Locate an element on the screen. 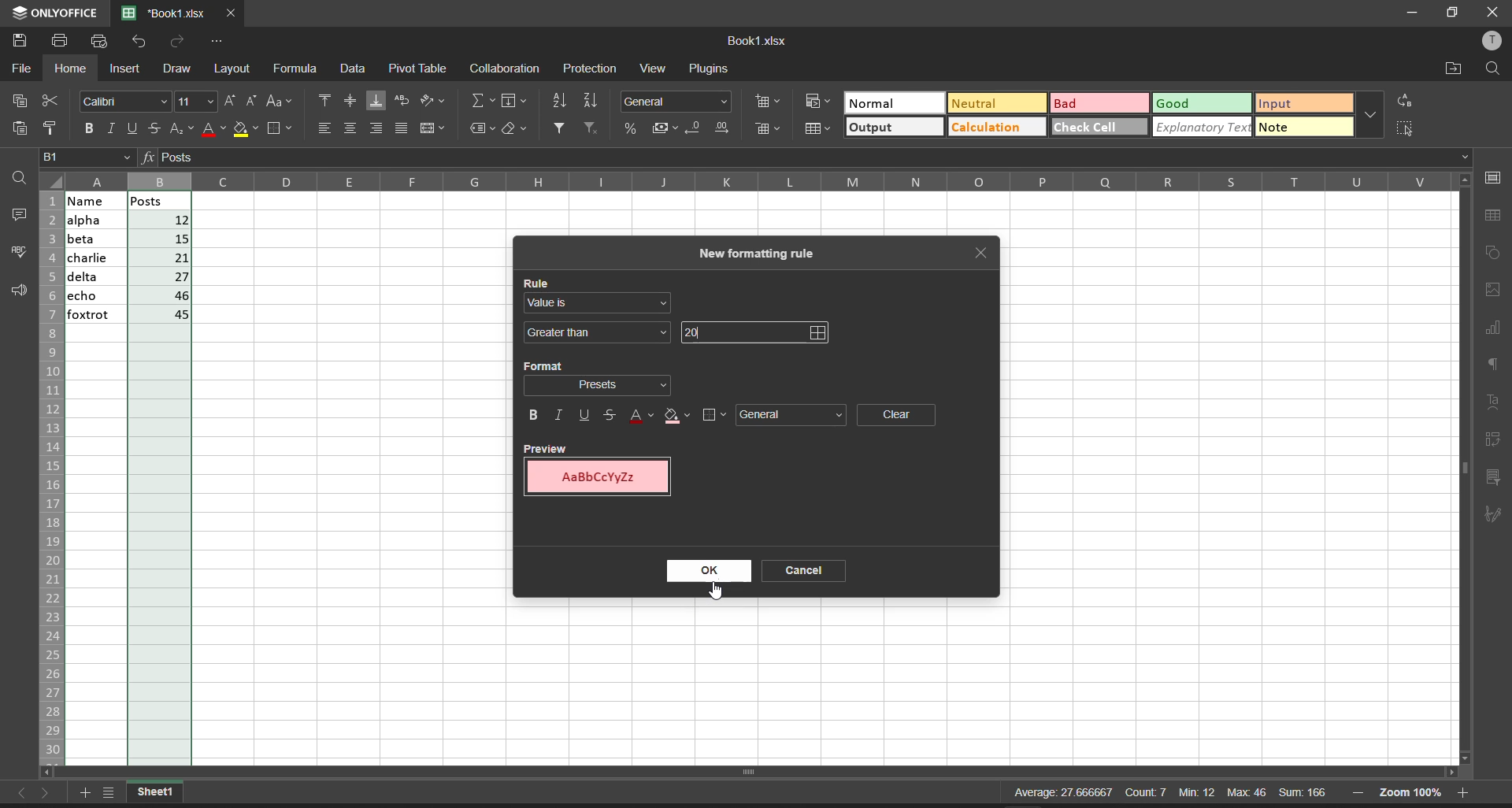  font color is located at coordinates (211, 131).